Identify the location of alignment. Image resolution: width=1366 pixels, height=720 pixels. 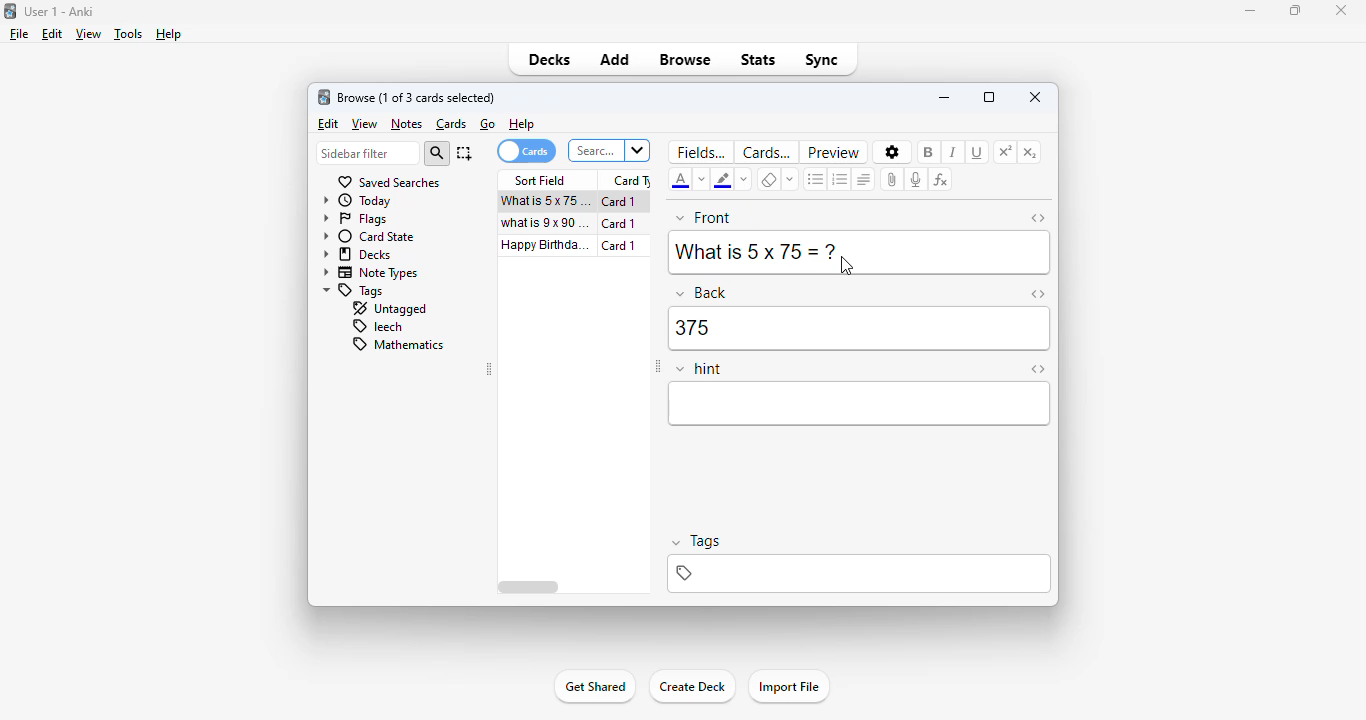
(864, 180).